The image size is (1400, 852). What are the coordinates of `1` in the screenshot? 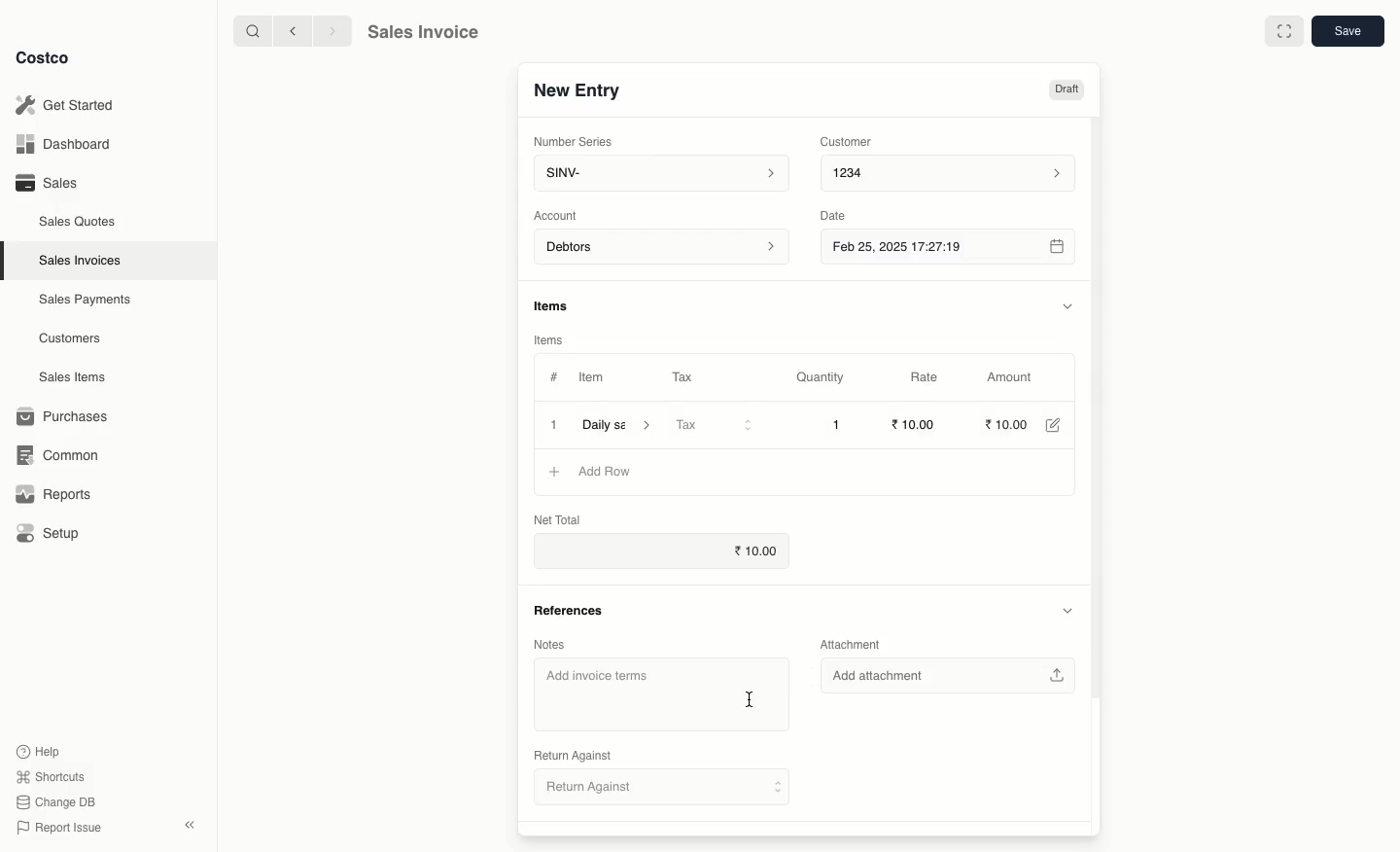 It's located at (554, 424).